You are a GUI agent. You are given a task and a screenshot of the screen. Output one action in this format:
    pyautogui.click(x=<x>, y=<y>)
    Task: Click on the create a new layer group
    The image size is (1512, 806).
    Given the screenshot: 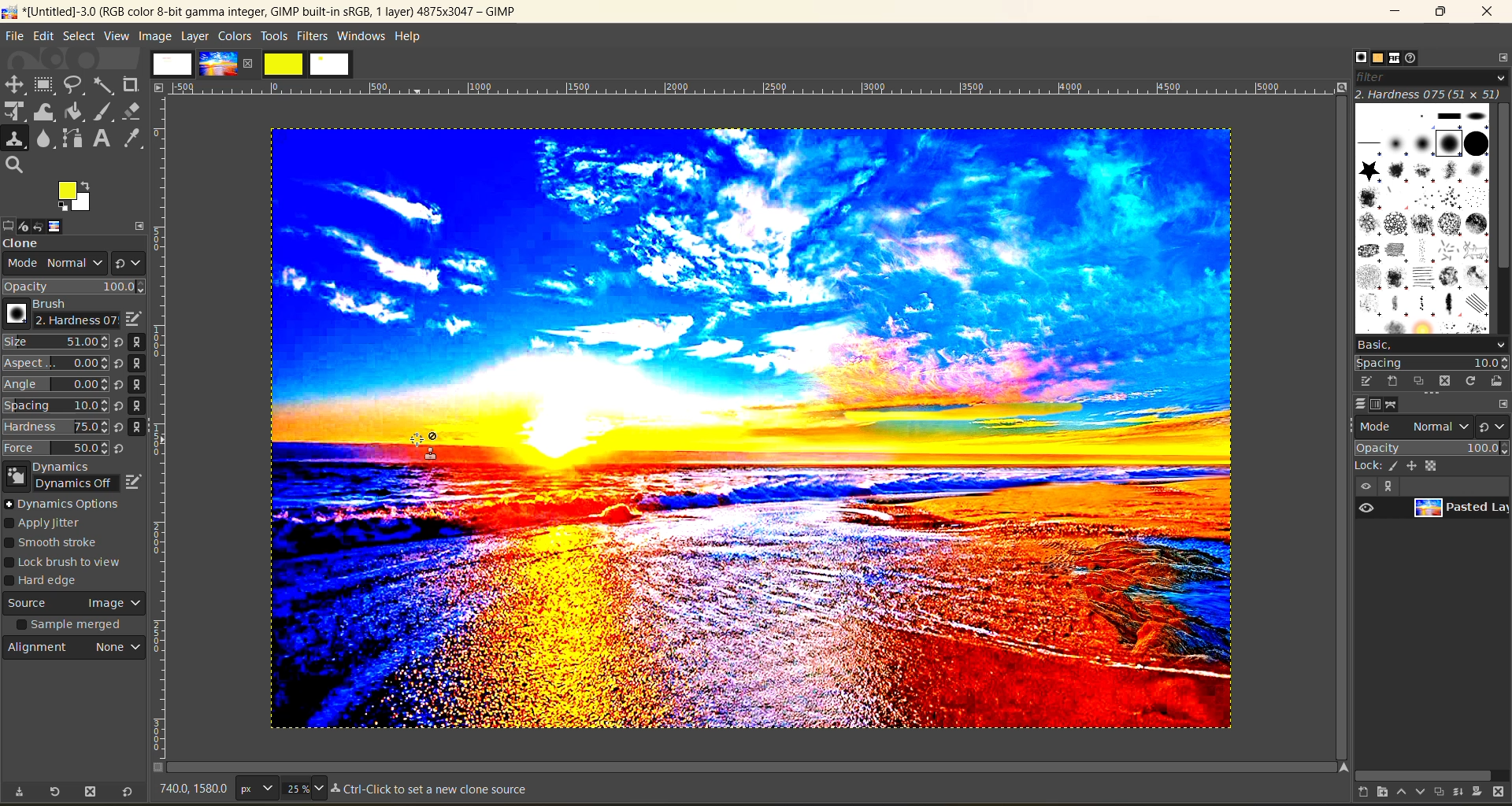 What is the action you would take?
    pyautogui.click(x=1374, y=793)
    